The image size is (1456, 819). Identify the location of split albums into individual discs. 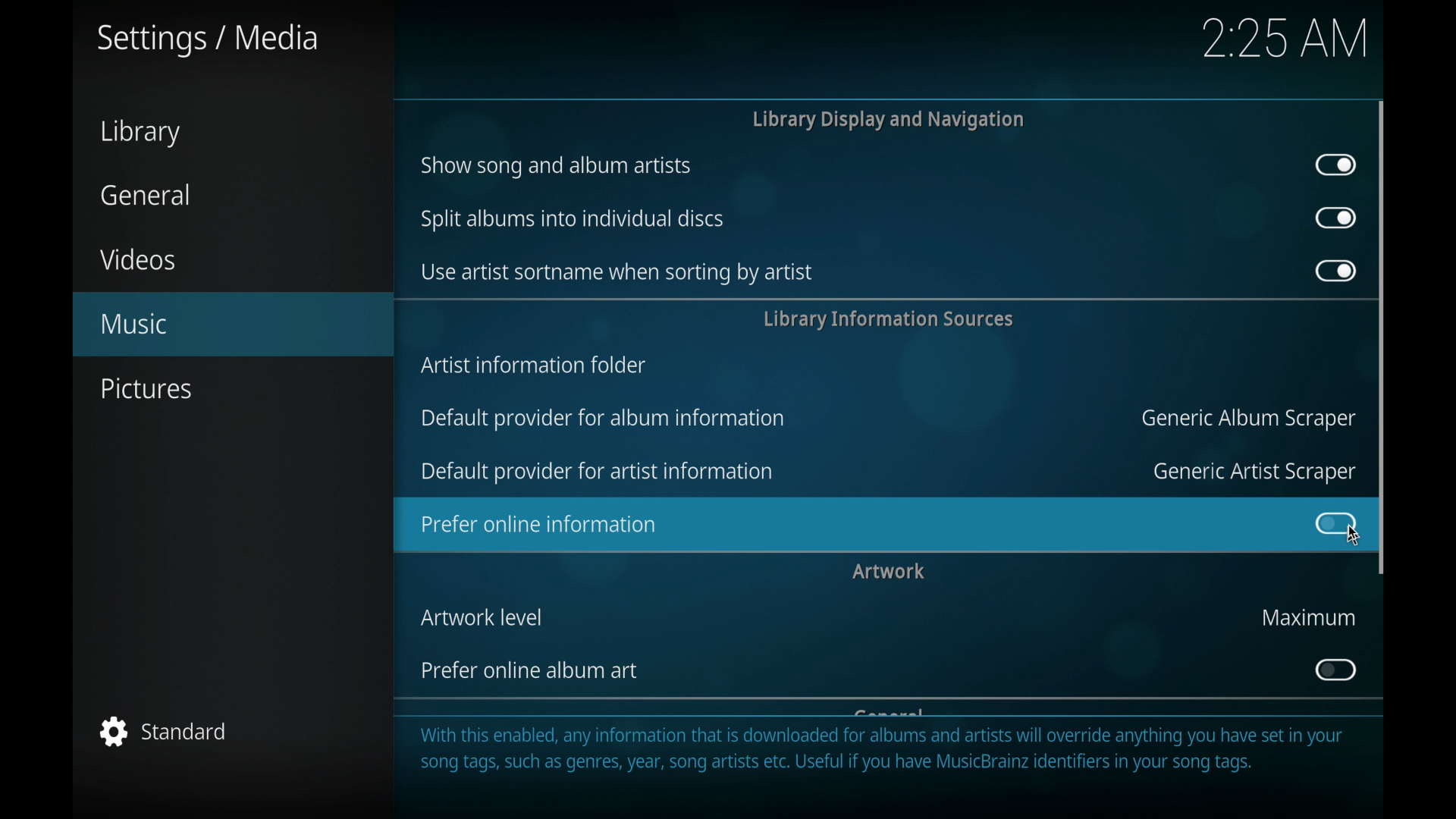
(572, 219).